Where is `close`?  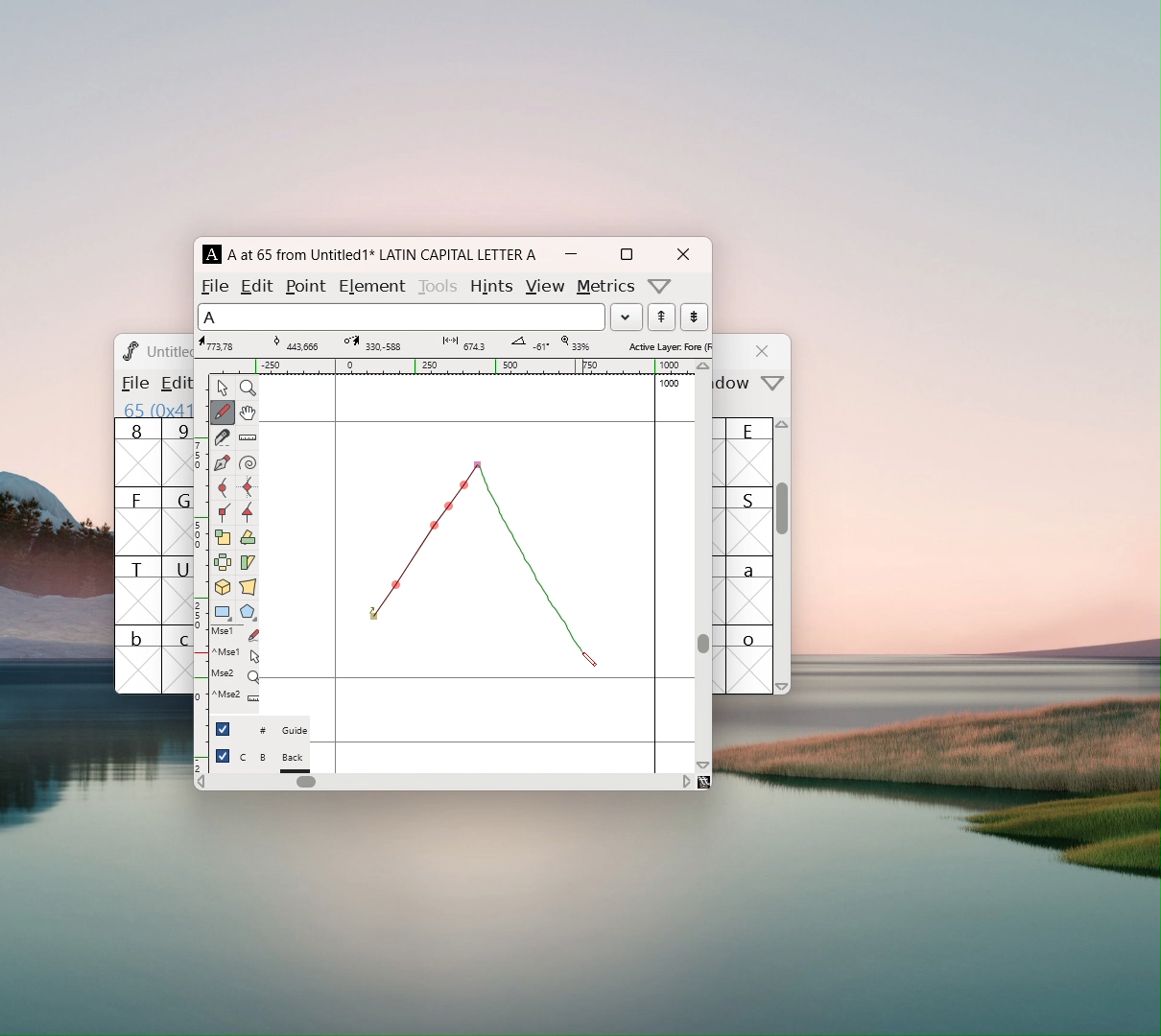
close is located at coordinates (682, 254).